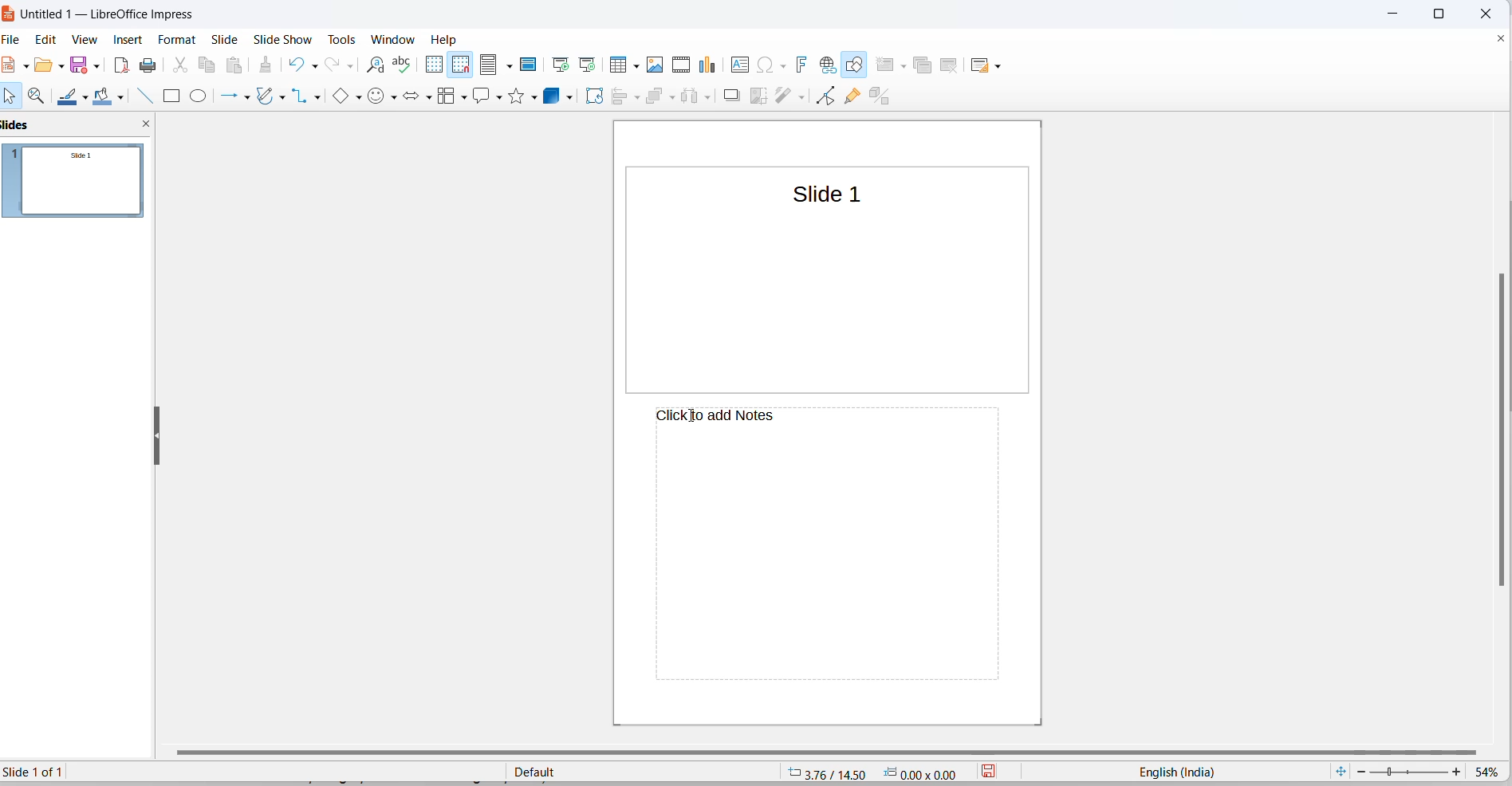  Describe the element at coordinates (12, 100) in the screenshot. I see `select` at that location.